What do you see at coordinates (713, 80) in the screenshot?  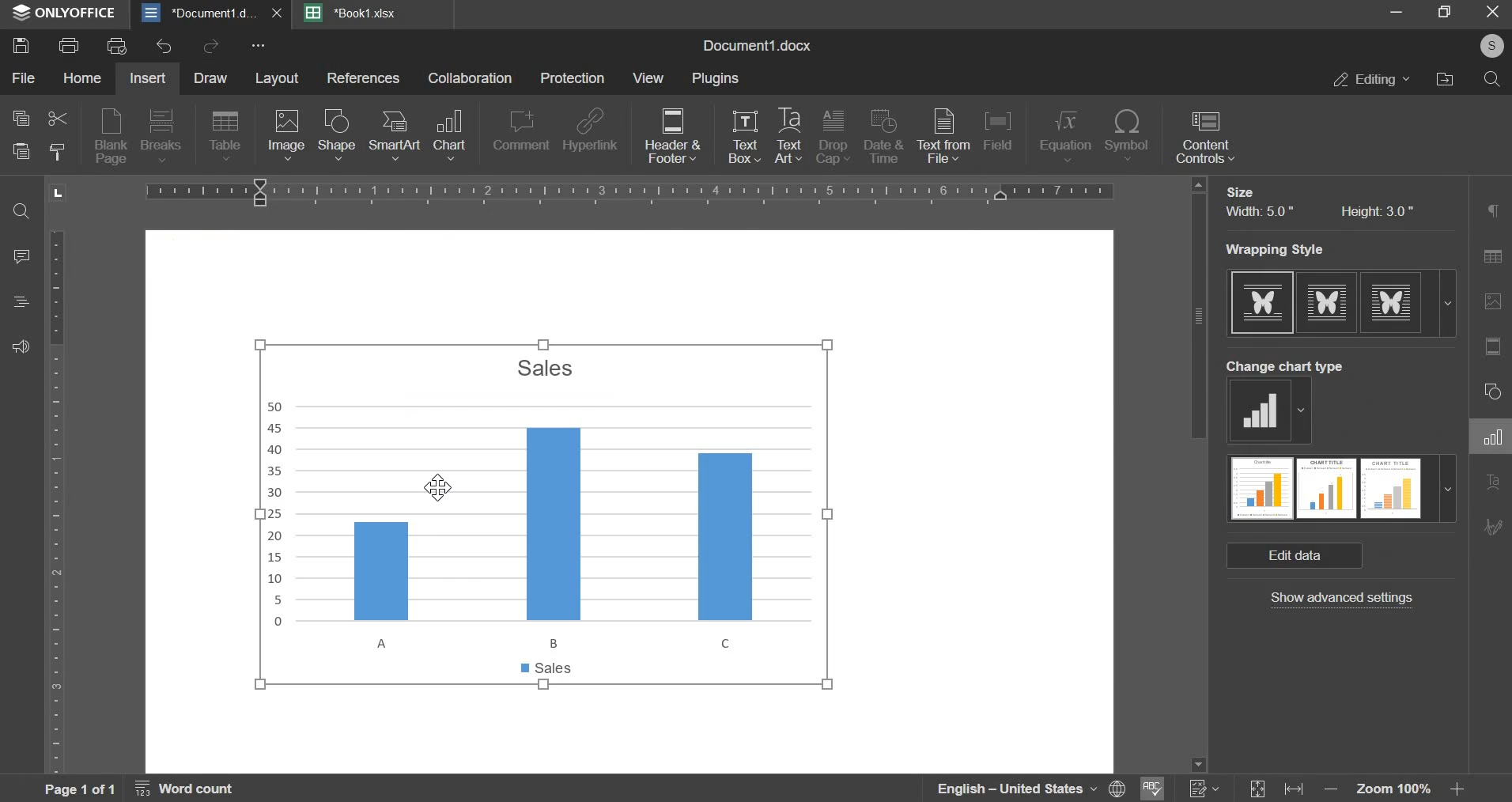 I see `plugins` at bounding box center [713, 80].